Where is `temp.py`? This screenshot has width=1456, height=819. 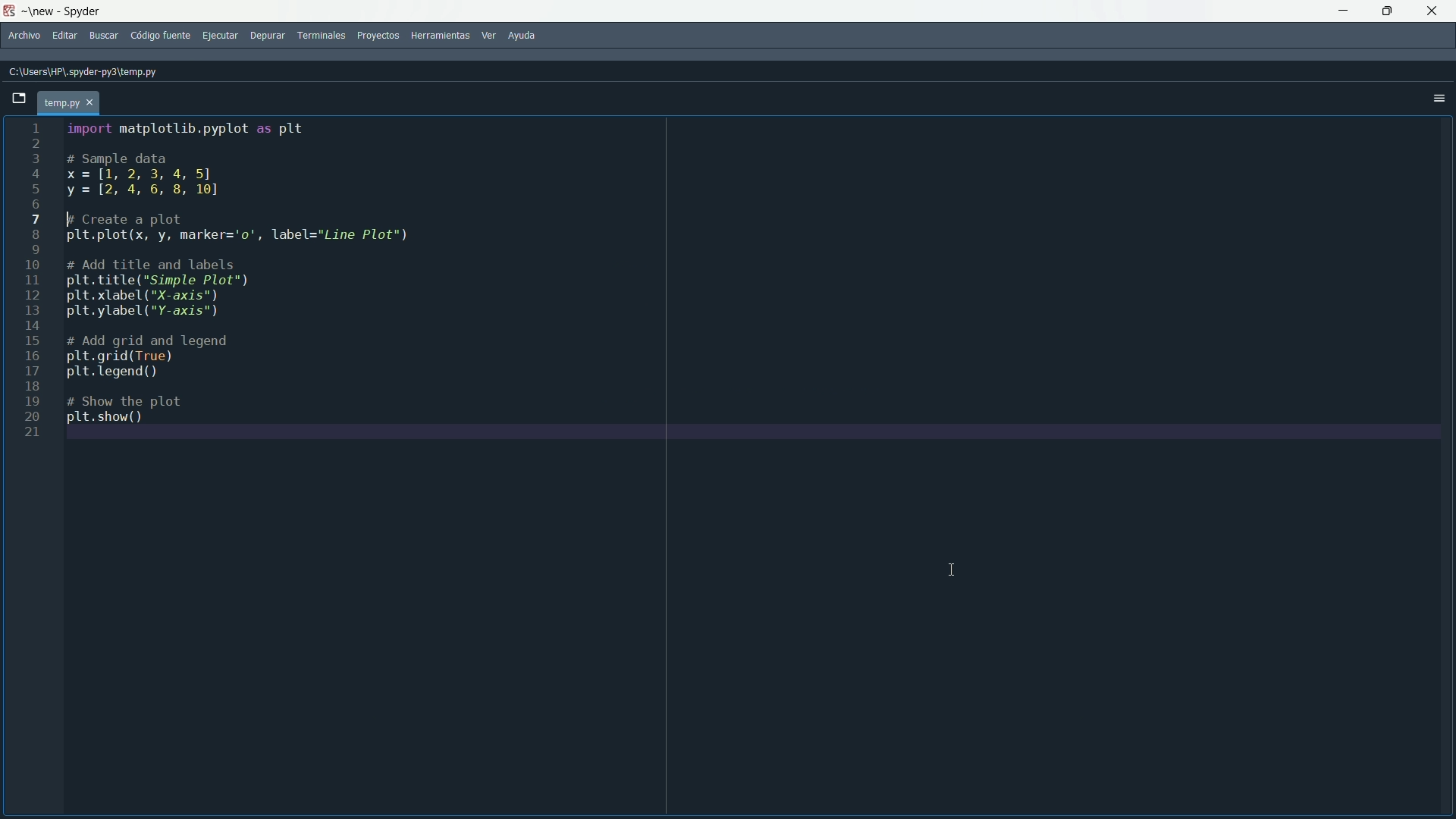 temp.py is located at coordinates (67, 102).